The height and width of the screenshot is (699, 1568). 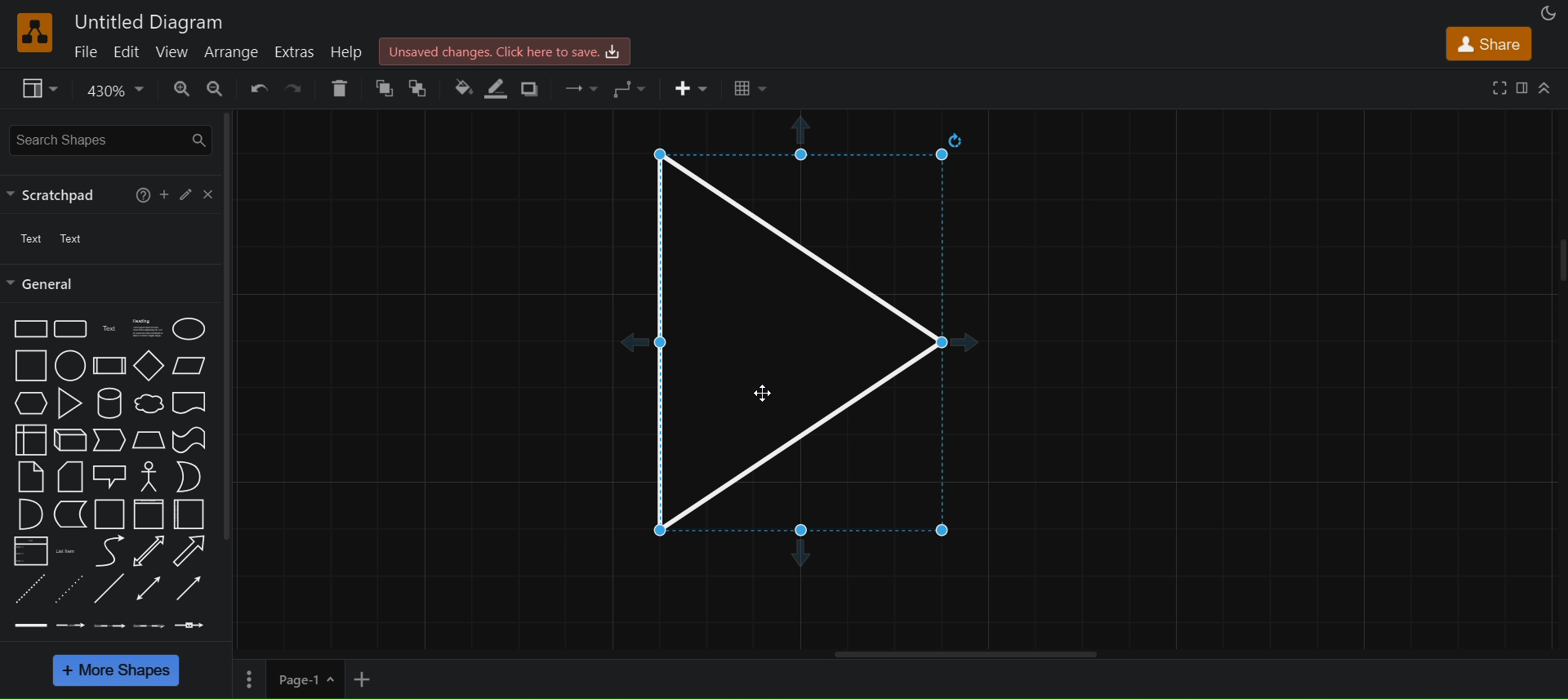 I want to click on help, so click(x=345, y=51).